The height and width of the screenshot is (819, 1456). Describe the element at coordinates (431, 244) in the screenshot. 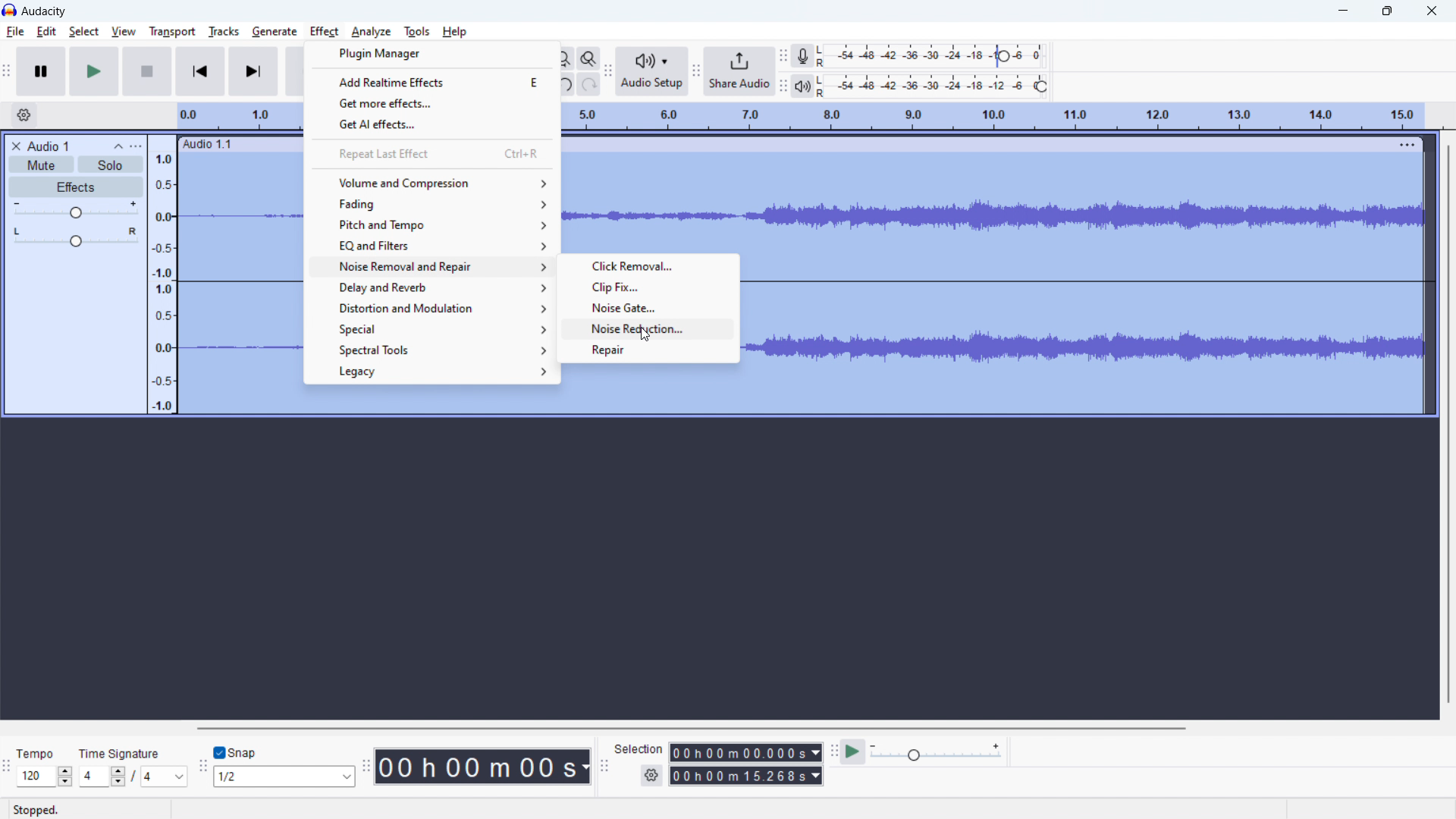

I see `EQ and filters` at that location.